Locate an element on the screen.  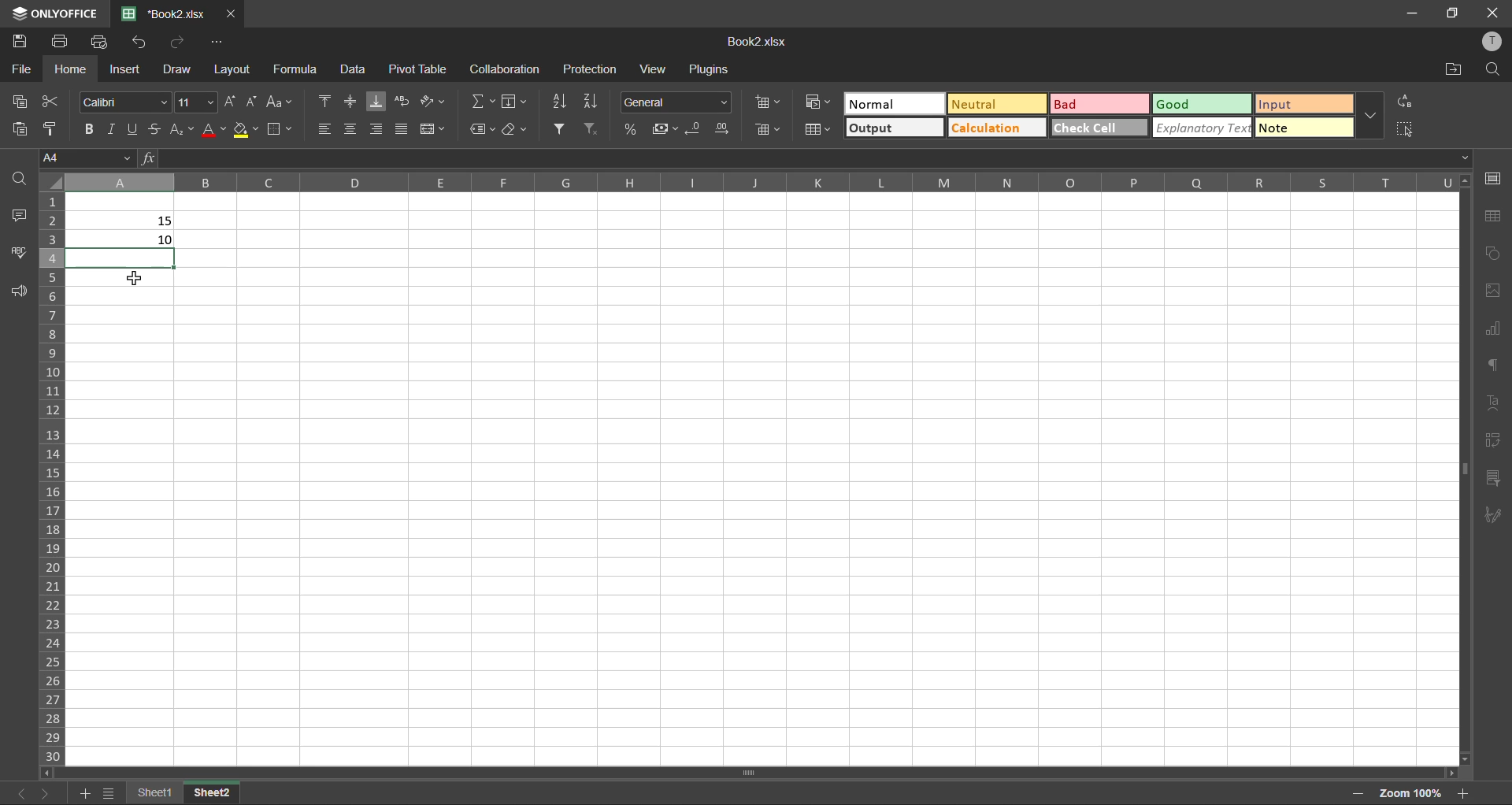
shapes is located at coordinates (1493, 253).